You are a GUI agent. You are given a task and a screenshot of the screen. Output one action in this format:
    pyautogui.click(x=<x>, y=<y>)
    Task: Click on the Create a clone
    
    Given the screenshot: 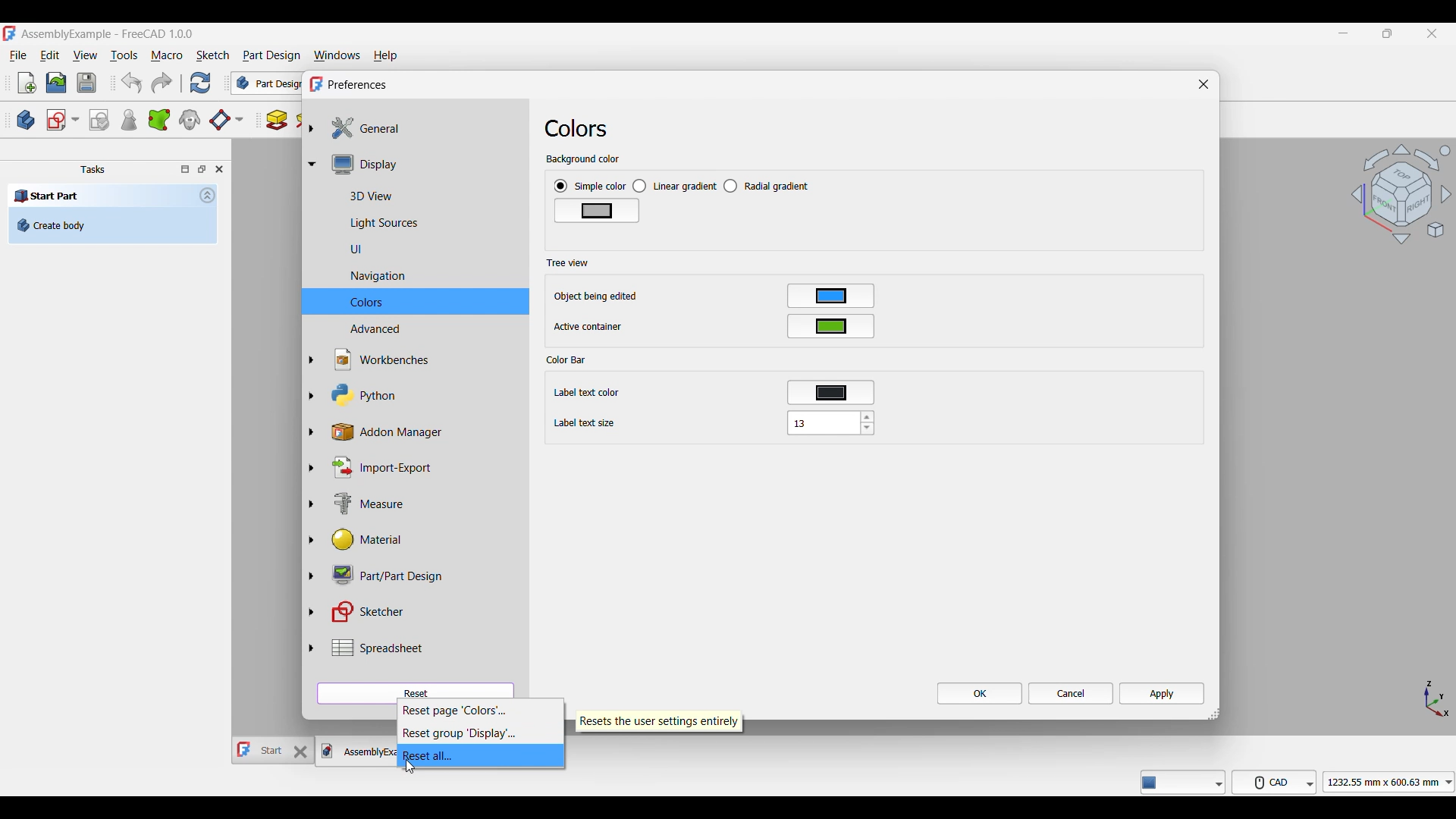 What is the action you would take?
    pyautogui.click(x=189, y=120)
    